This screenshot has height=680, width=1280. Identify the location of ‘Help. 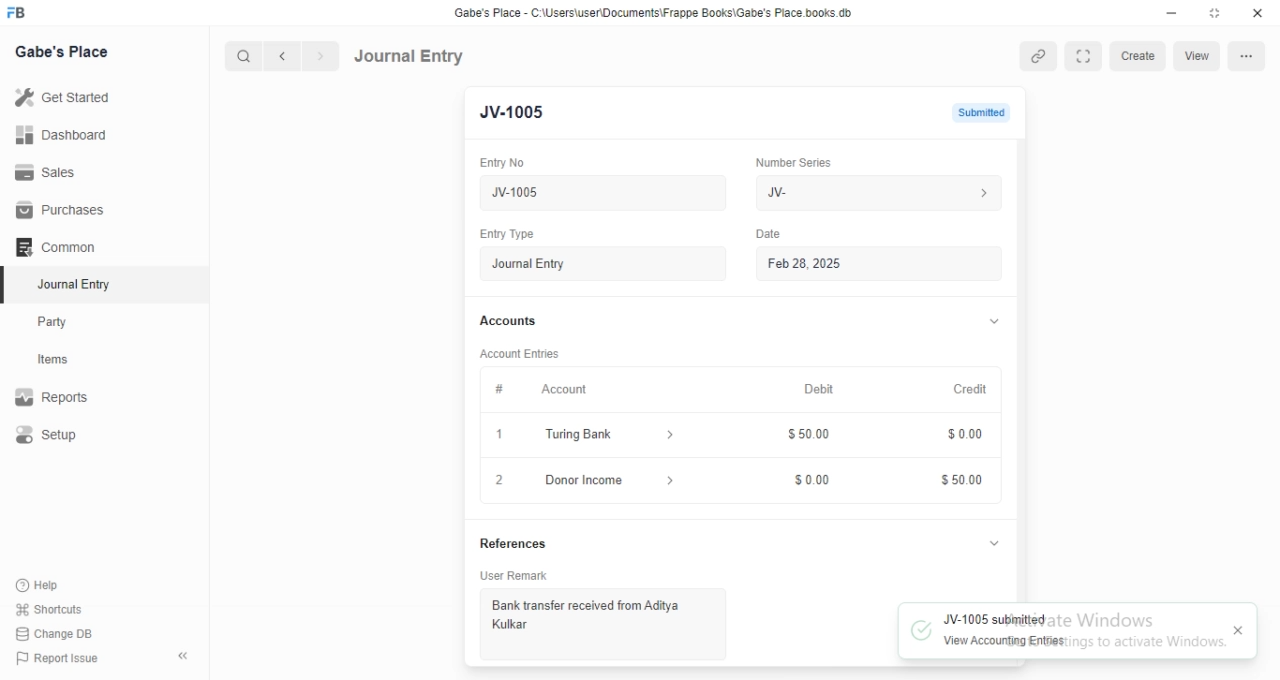
(61, 585).